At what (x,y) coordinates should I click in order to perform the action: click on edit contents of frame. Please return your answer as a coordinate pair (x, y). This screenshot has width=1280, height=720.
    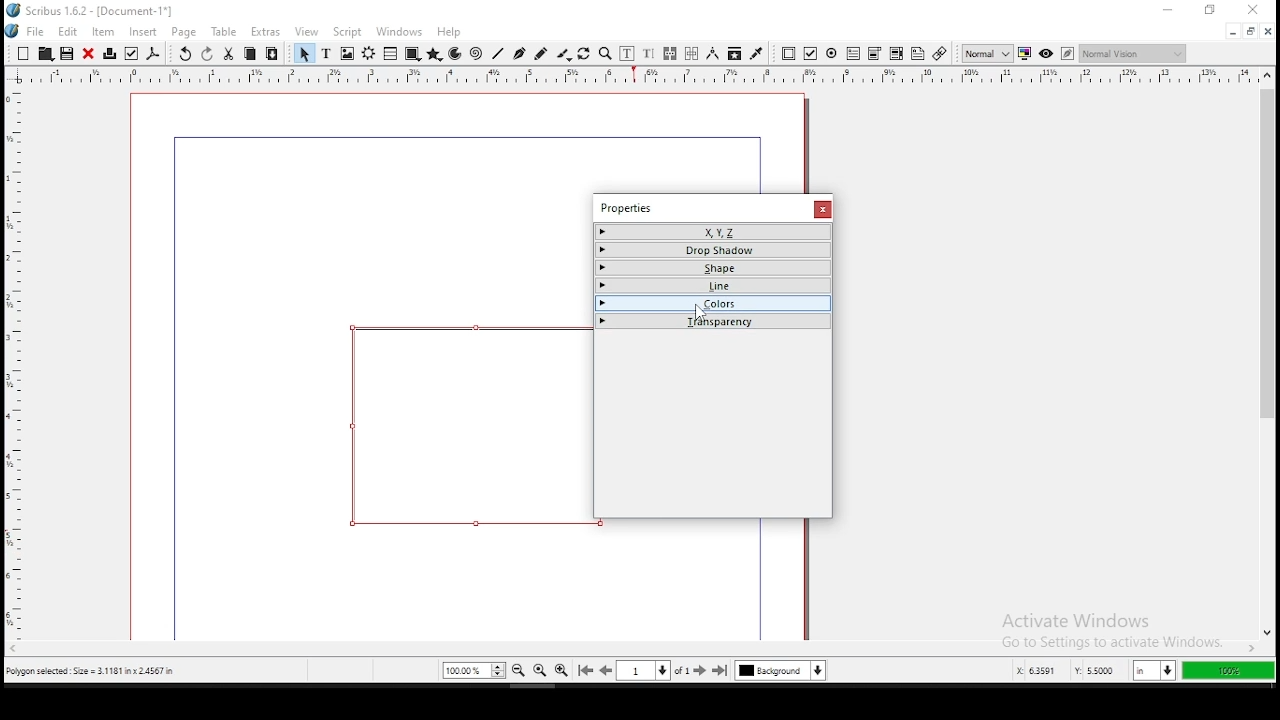
    Looking at the image, I should click on (627, 54).